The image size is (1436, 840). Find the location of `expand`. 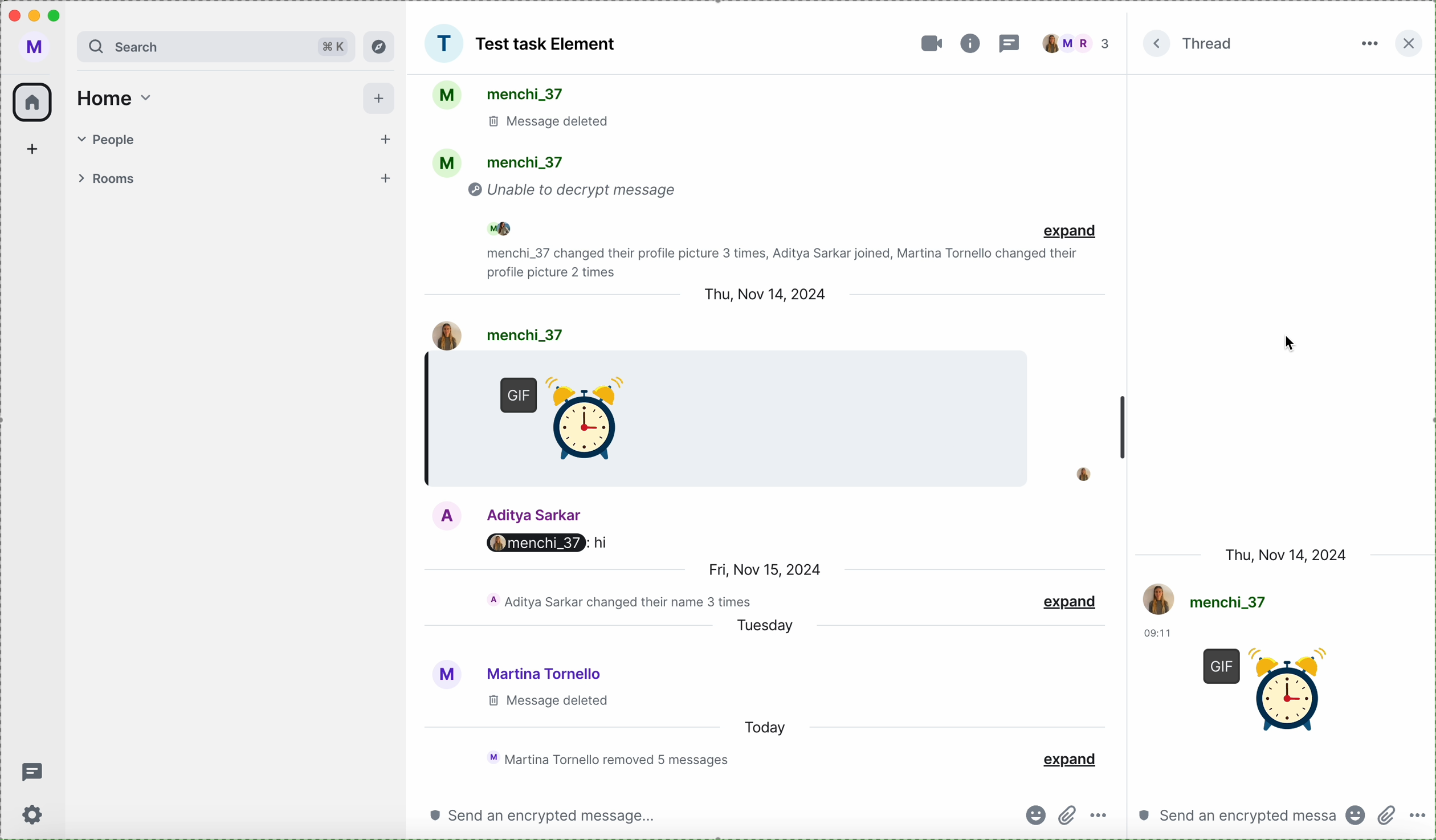

expand is located at coordinates (1071, 232).